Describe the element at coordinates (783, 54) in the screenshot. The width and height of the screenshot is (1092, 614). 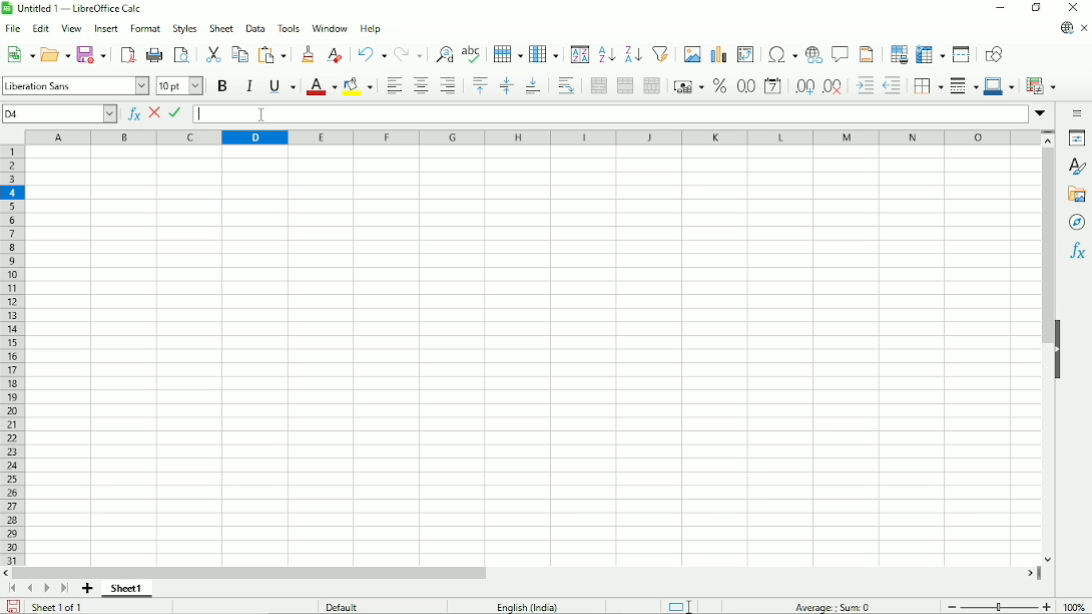
I see `Insert special characters` at that location.